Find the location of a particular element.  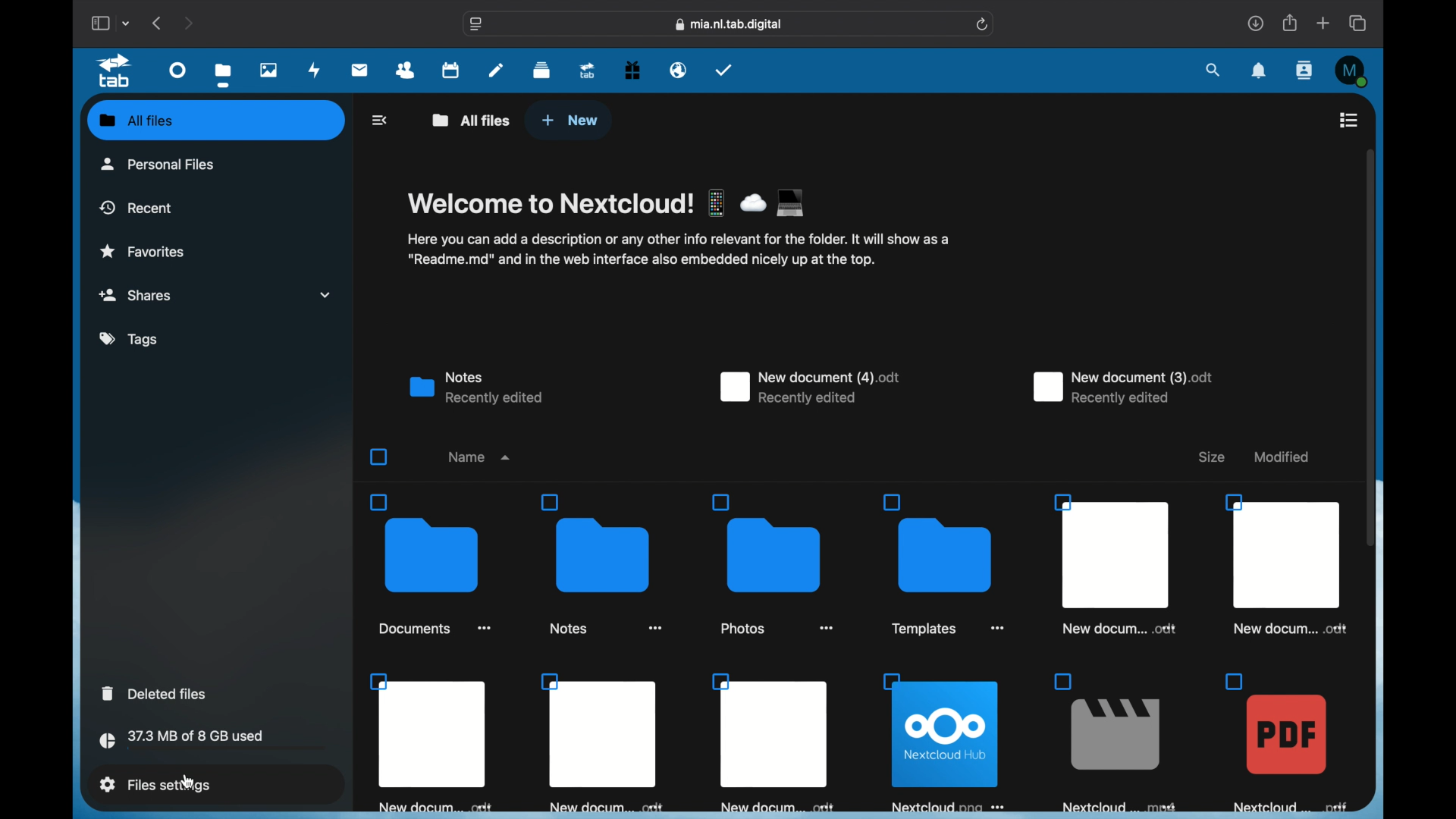

all files is located at coordinates (136, 120).